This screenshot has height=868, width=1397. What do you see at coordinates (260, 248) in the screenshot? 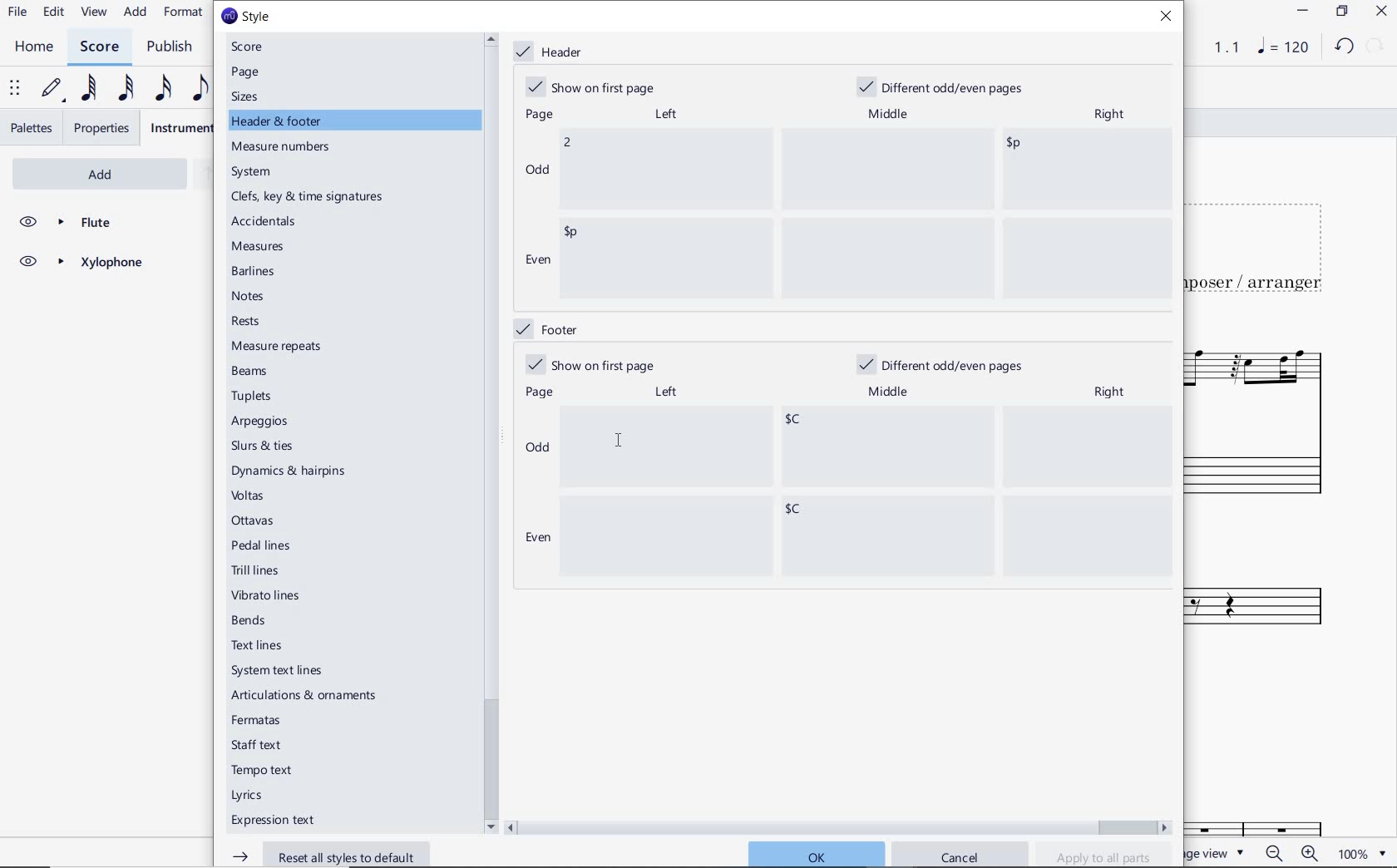
I see `measures` at bounding box center [260, 248].